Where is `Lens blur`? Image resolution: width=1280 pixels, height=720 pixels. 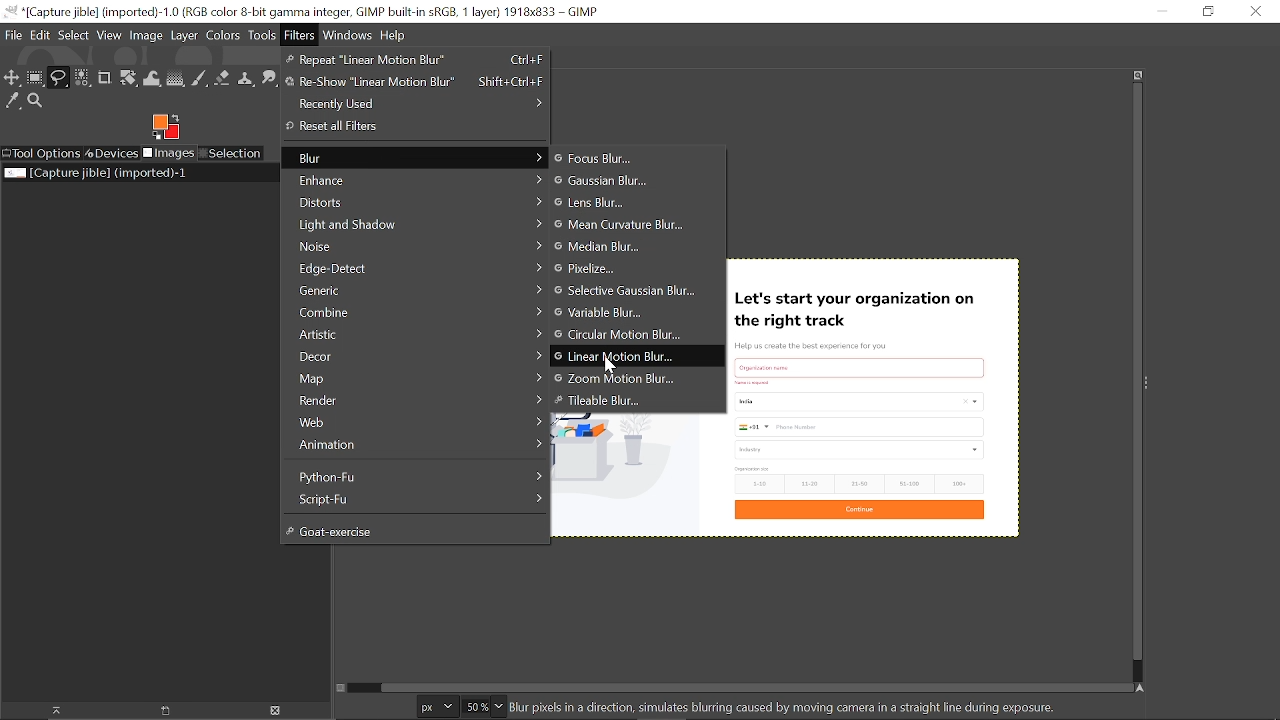
Lens blur is located at coordinates (613, 204).